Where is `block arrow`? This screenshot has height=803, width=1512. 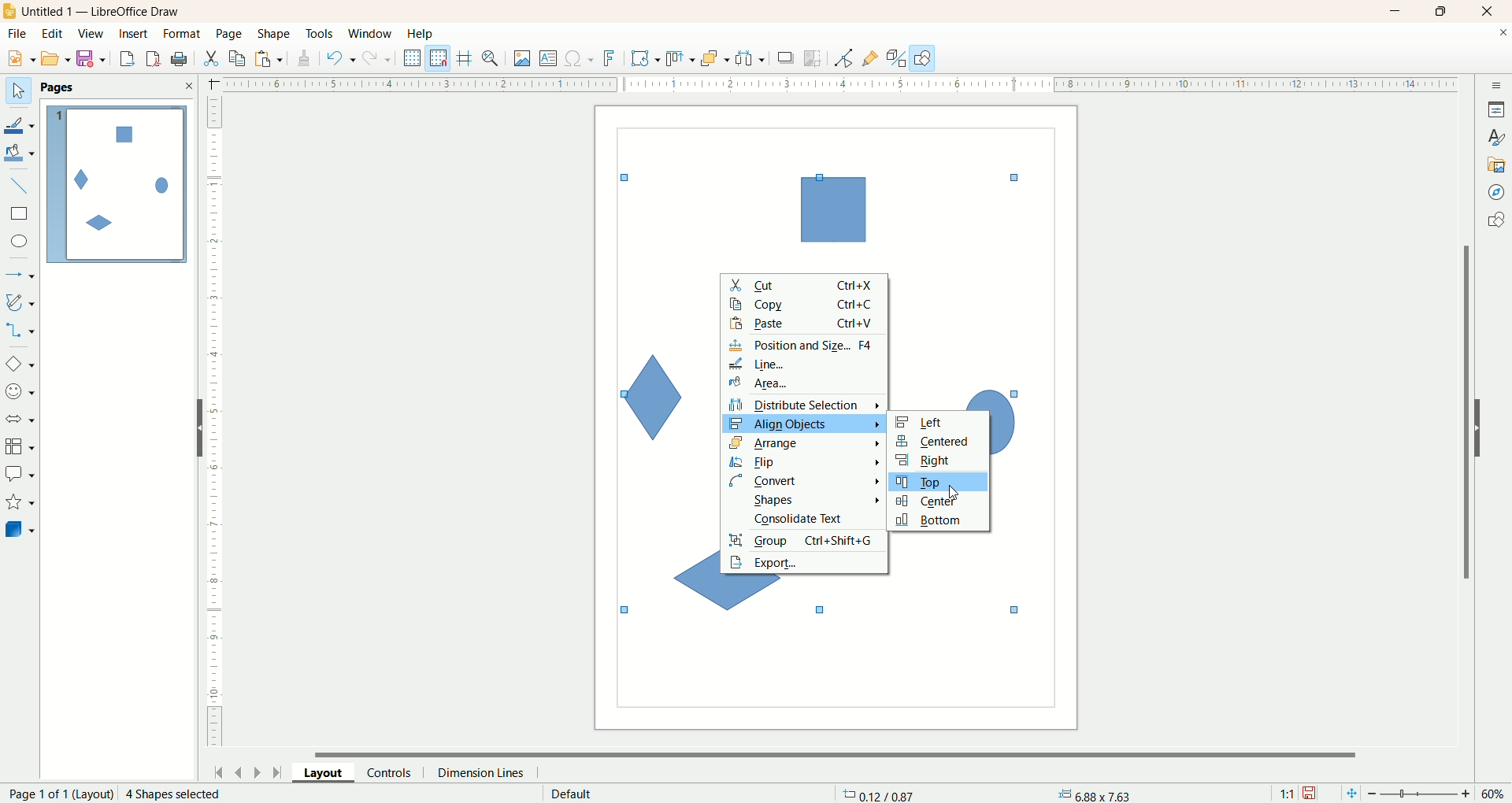 block arrow is located at coordinates (23, 420).